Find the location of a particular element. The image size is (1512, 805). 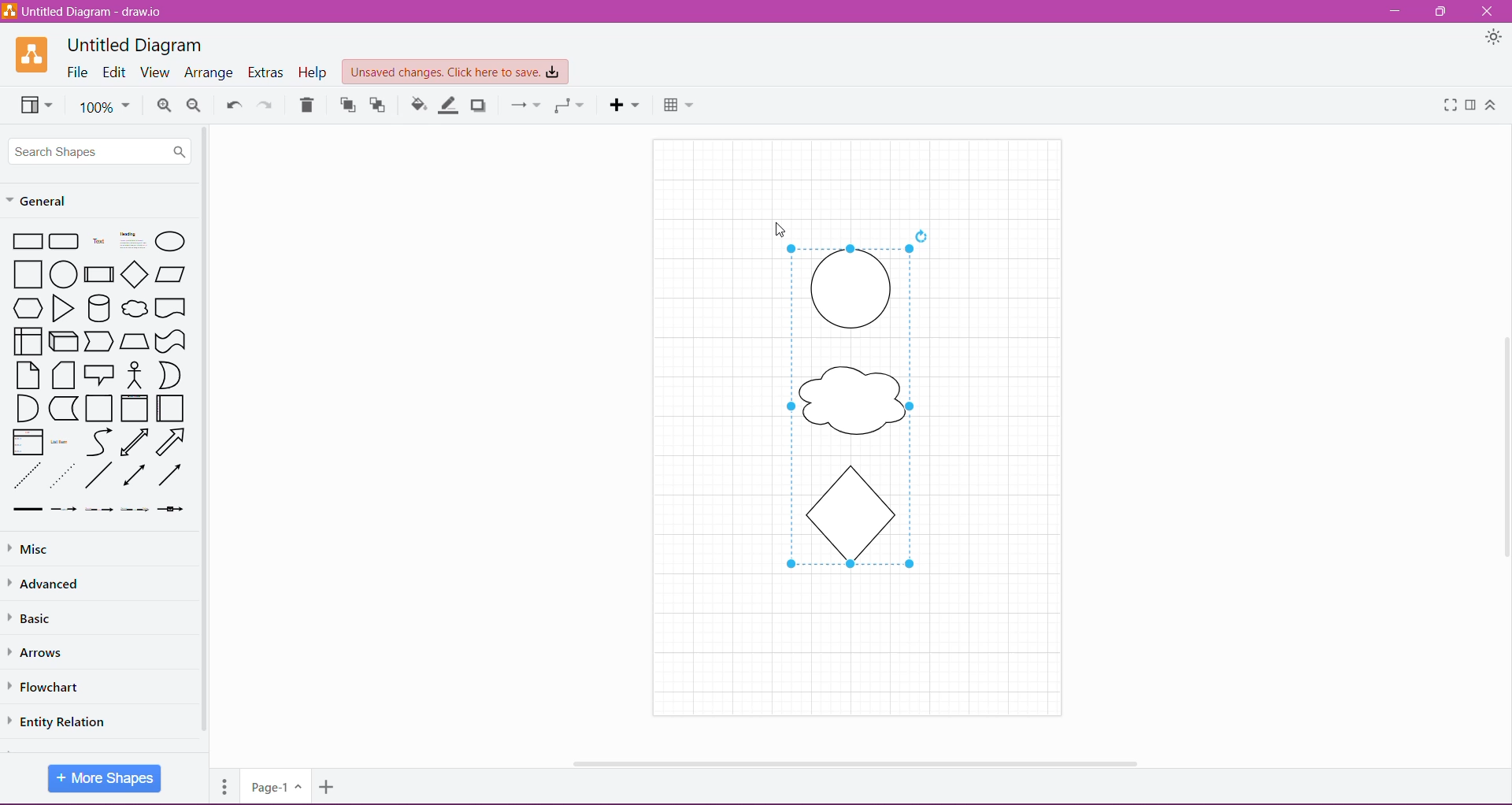

Pages is located at coordinates (222, 785).